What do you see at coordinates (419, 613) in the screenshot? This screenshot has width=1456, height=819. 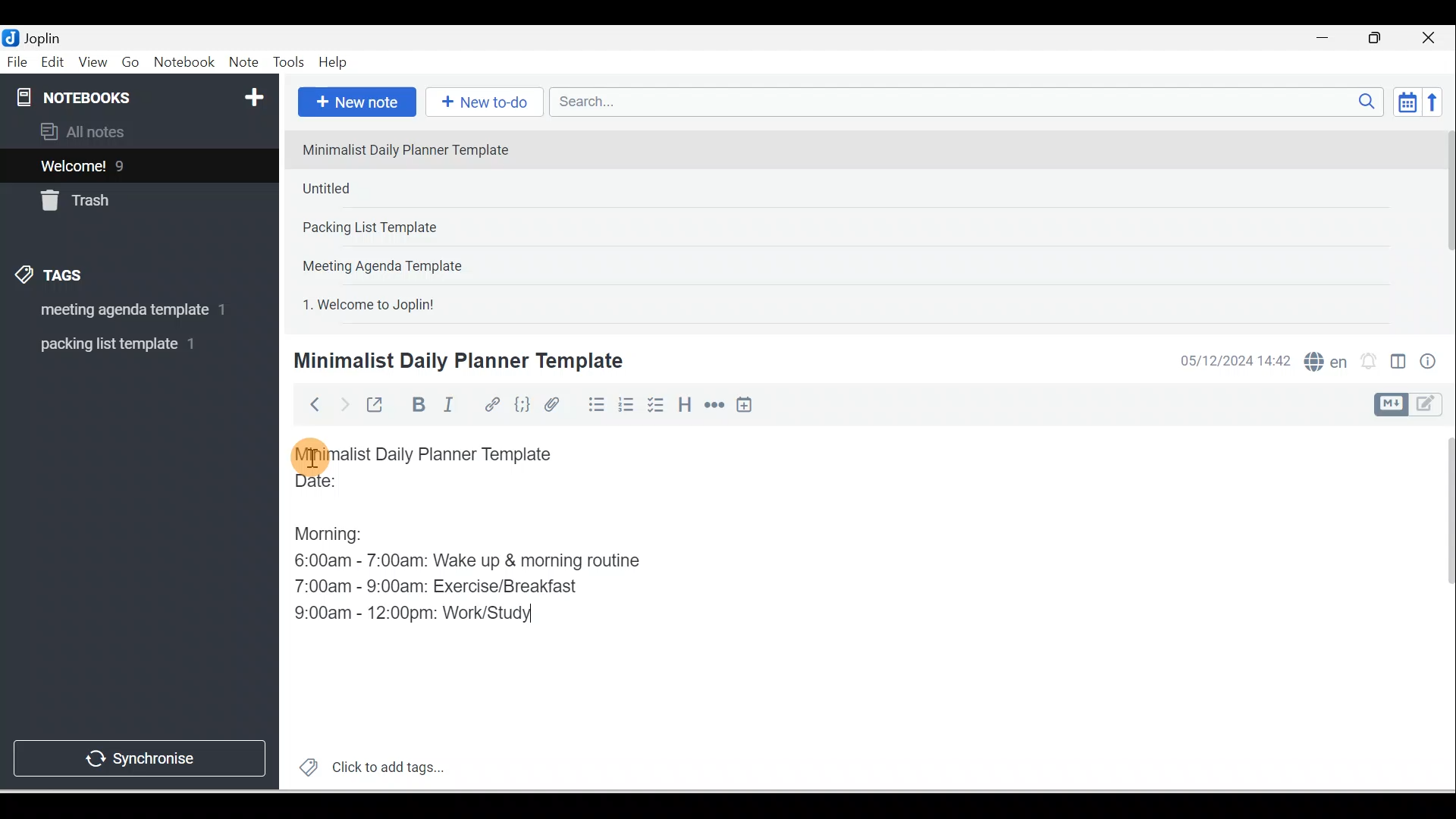 I see `9:00am - 12:00pm: Work/Study` at bounding box center [419, 613].